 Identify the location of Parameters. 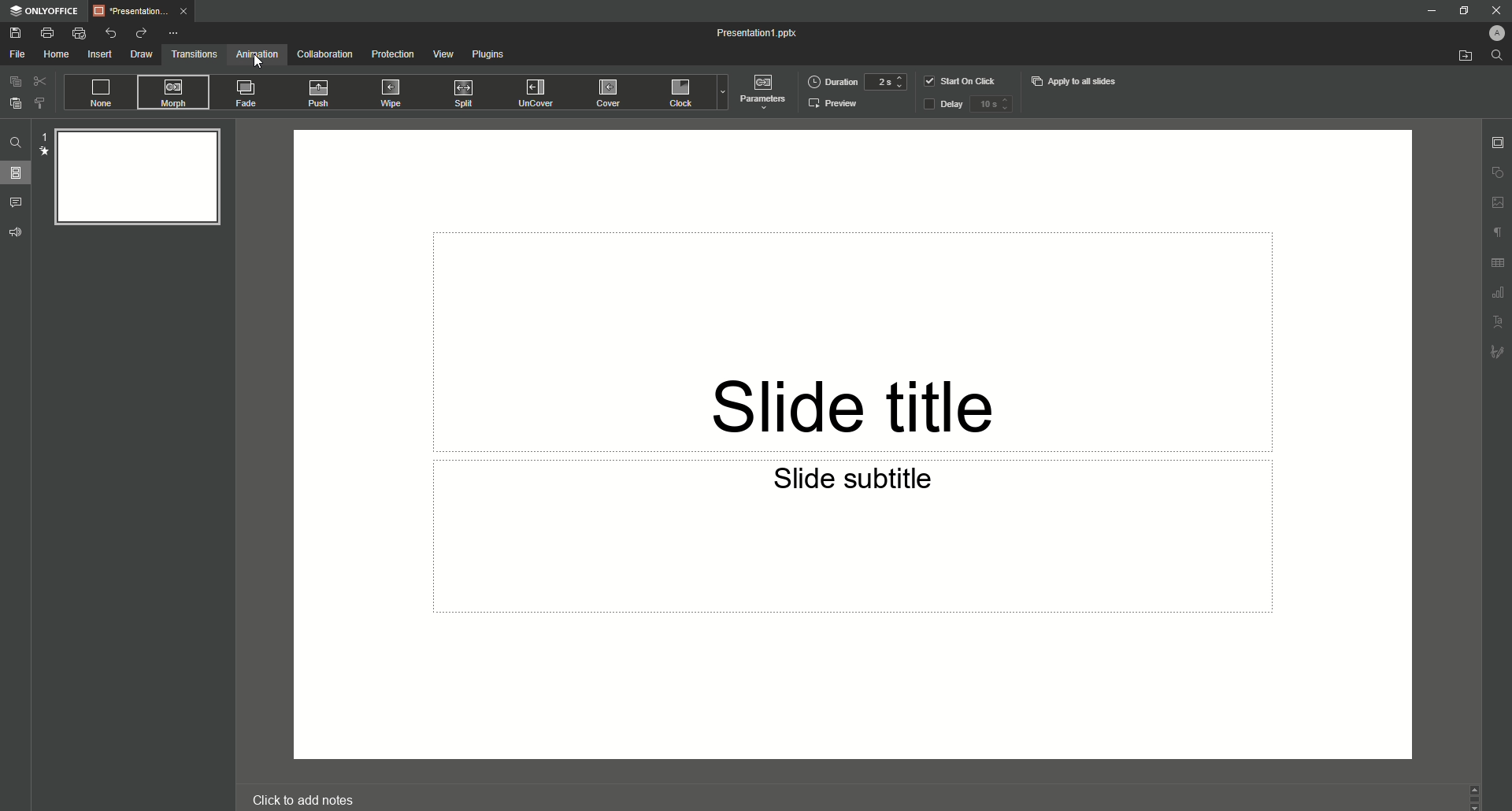
(762, 91).